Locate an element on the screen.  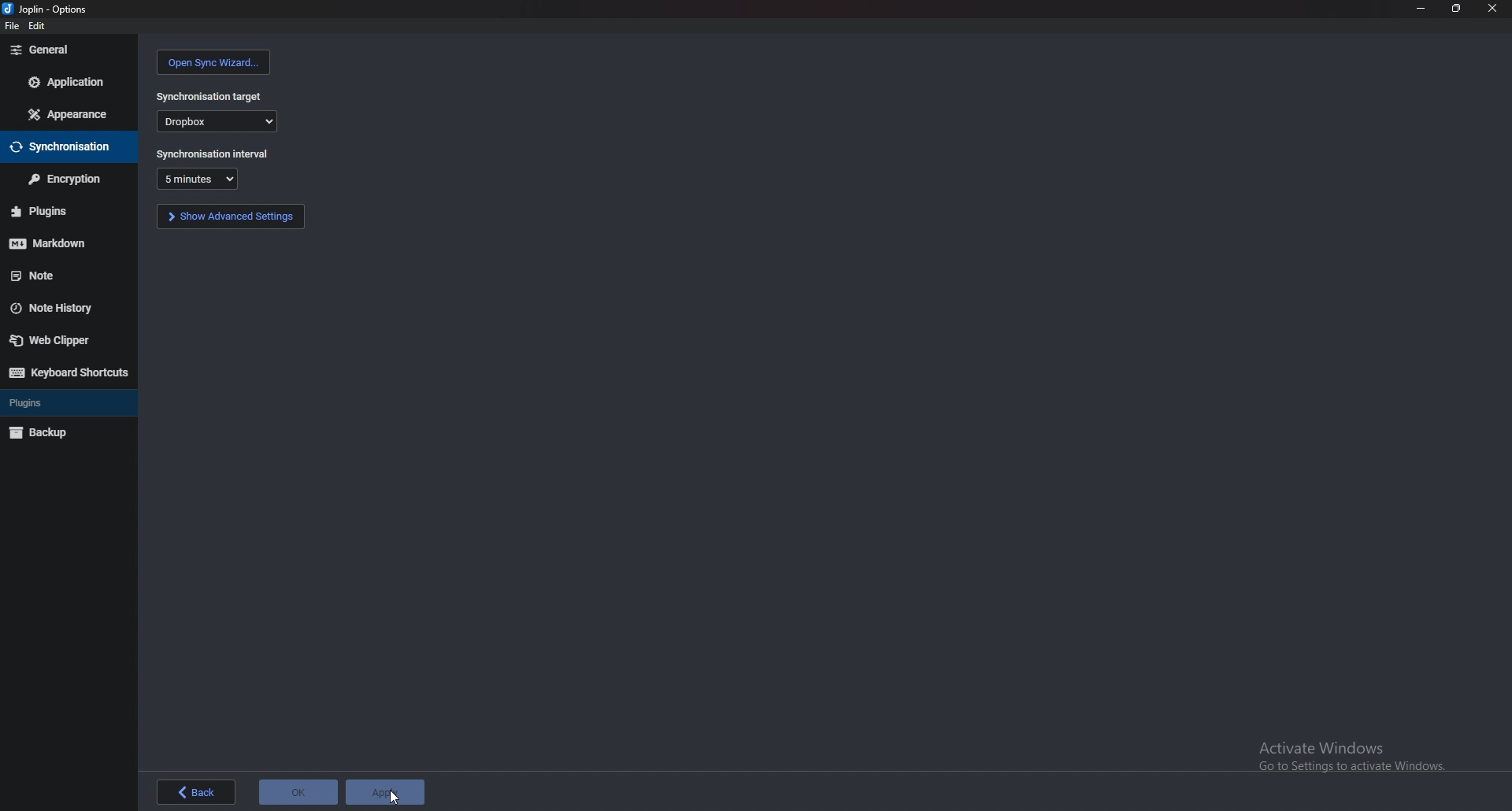
open sync wizard is located at coordinates (213, 63).